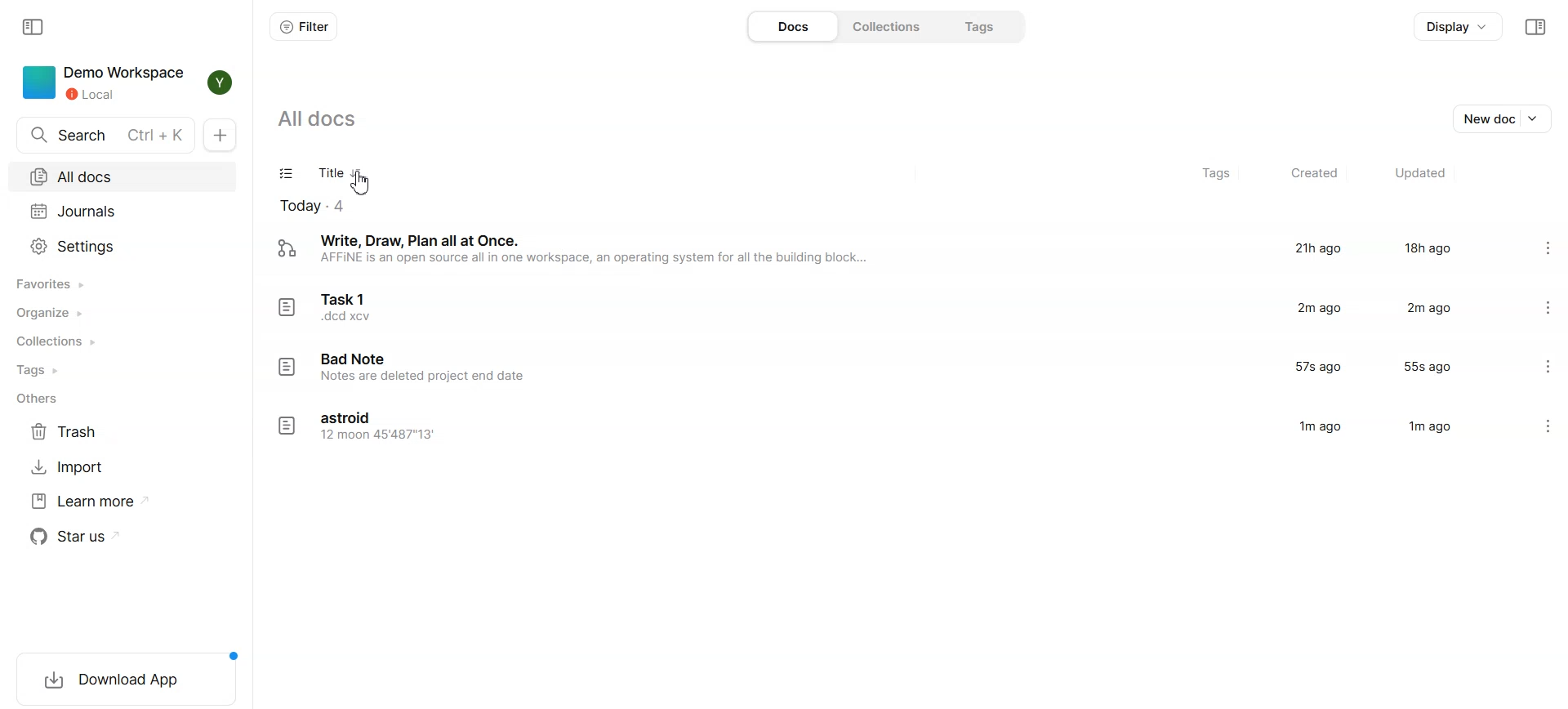 The image size is (1568, 709). Describe the element at coordinates (1484, 118) in the screenshot. I see `New doc` at that location.